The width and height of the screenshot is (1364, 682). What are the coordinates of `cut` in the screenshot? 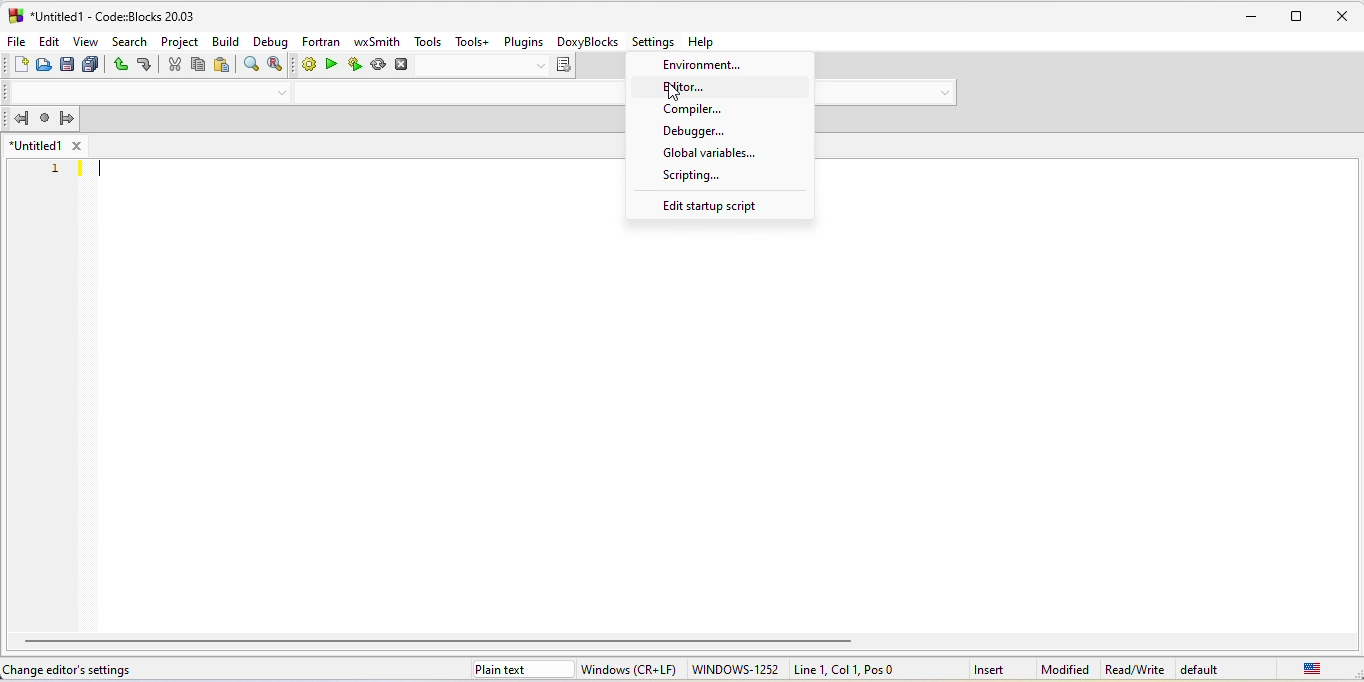 It's located at (174, 64).